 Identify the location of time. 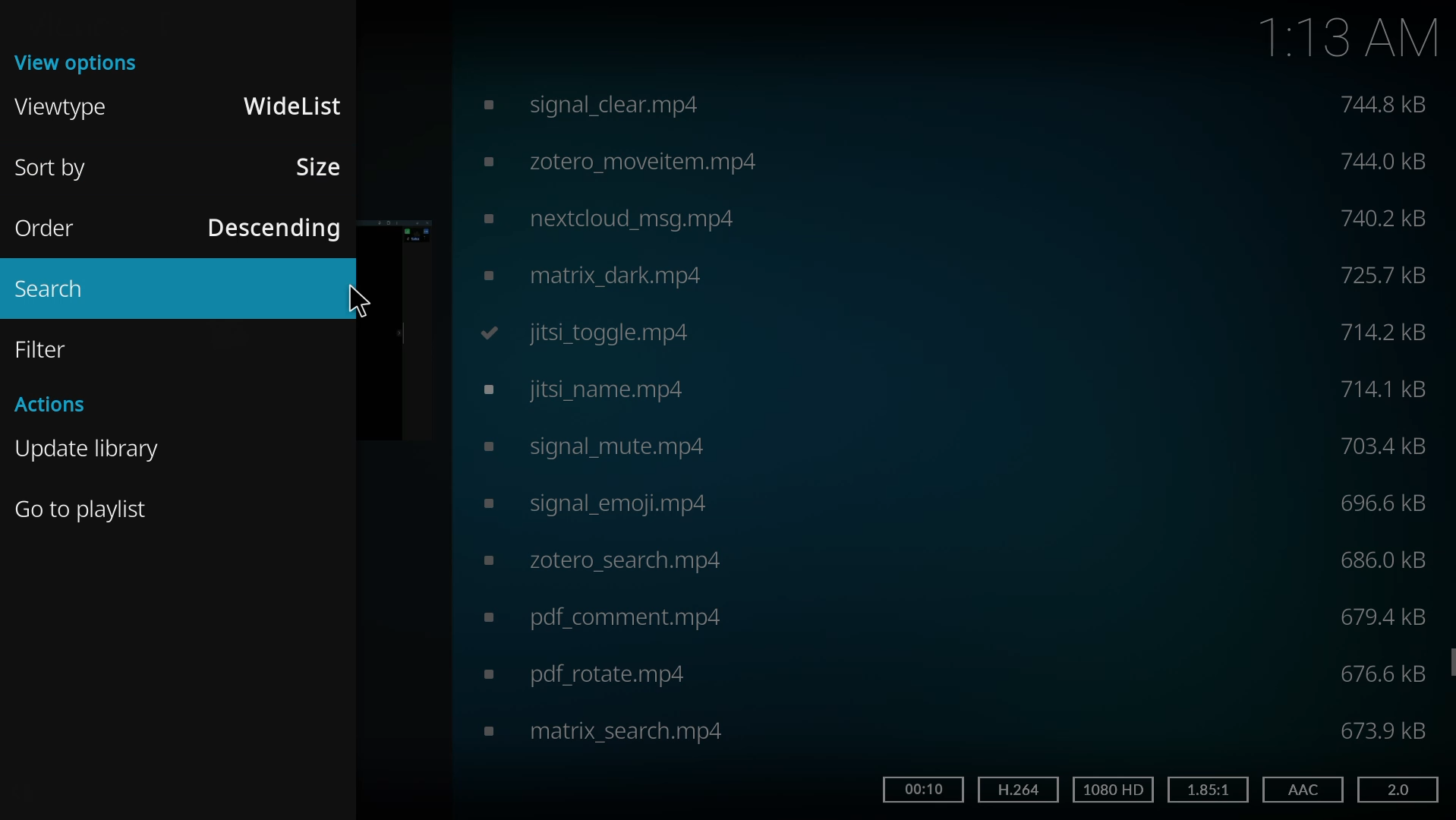
(925, 791).